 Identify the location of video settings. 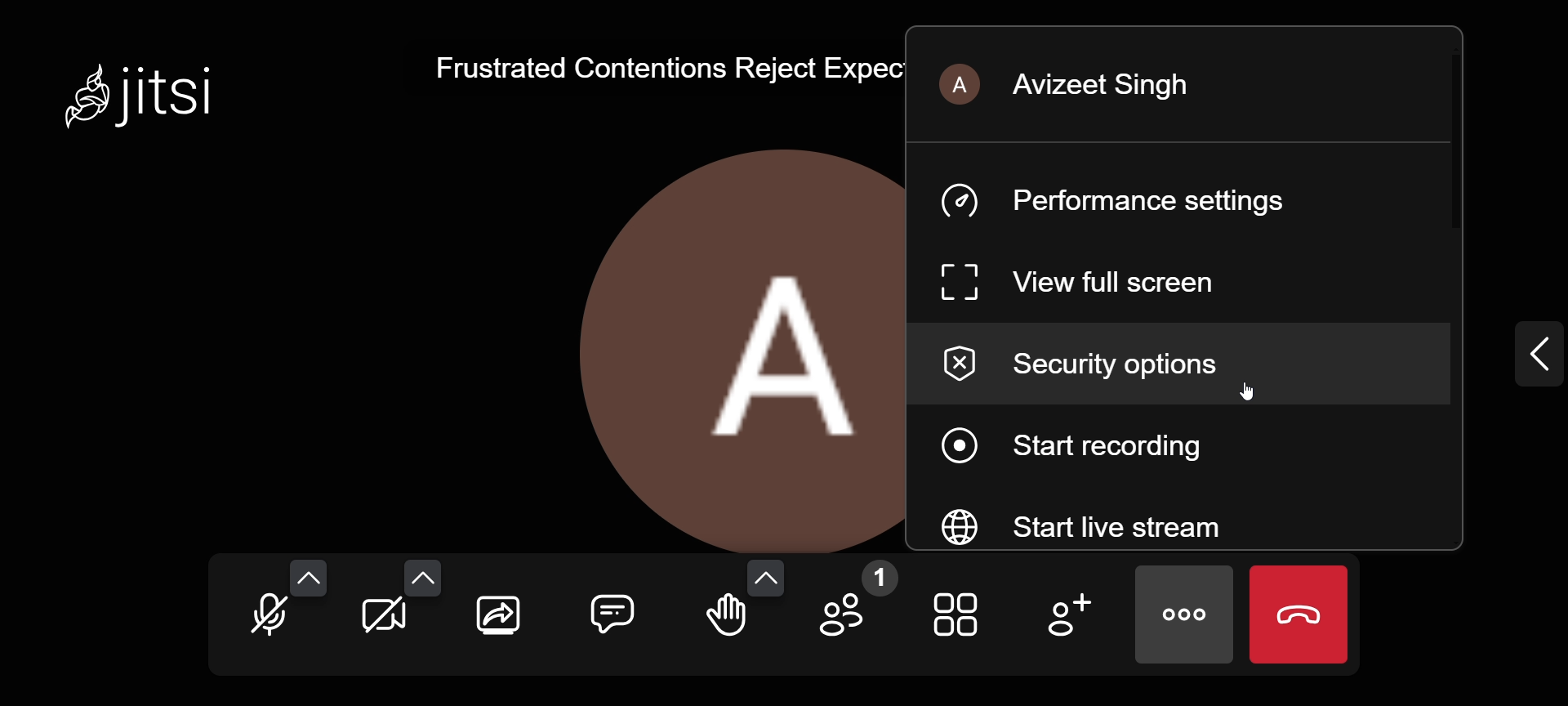
(421, 576).